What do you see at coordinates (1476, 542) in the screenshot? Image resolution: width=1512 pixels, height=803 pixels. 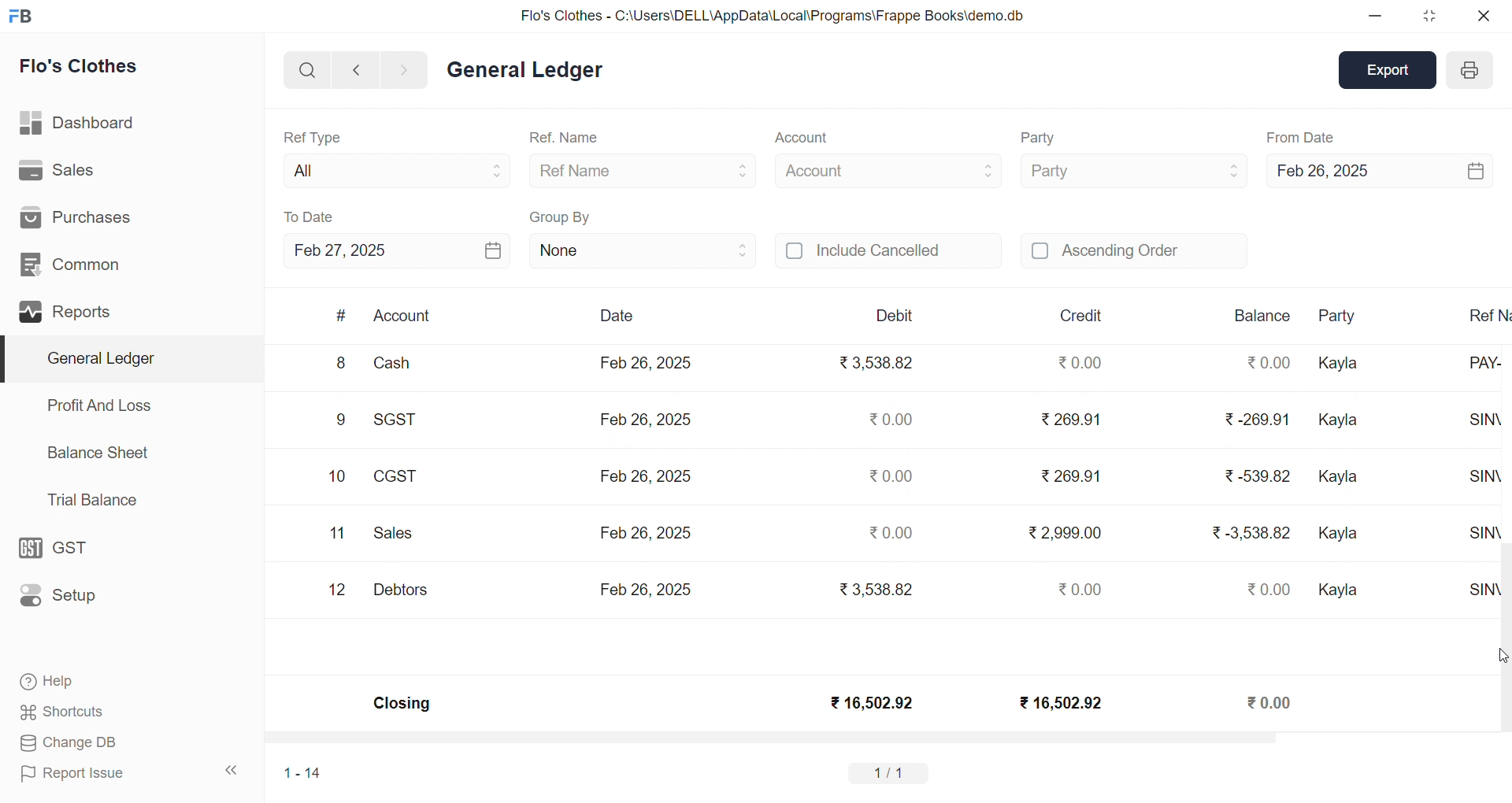 I see `SINV-` at bounding box center [1476, 542].